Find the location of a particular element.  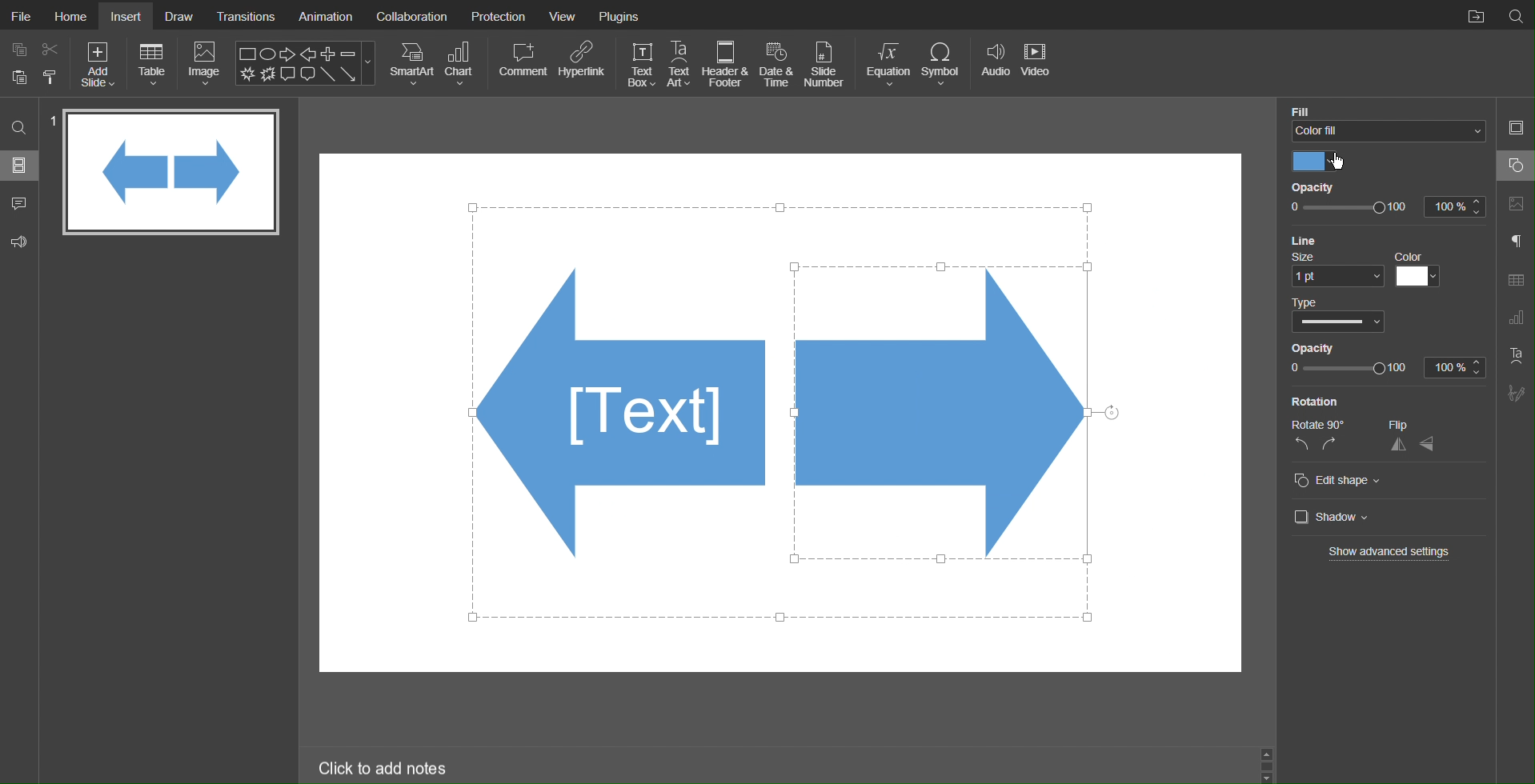

Search is located at coordinates (1516, 15).